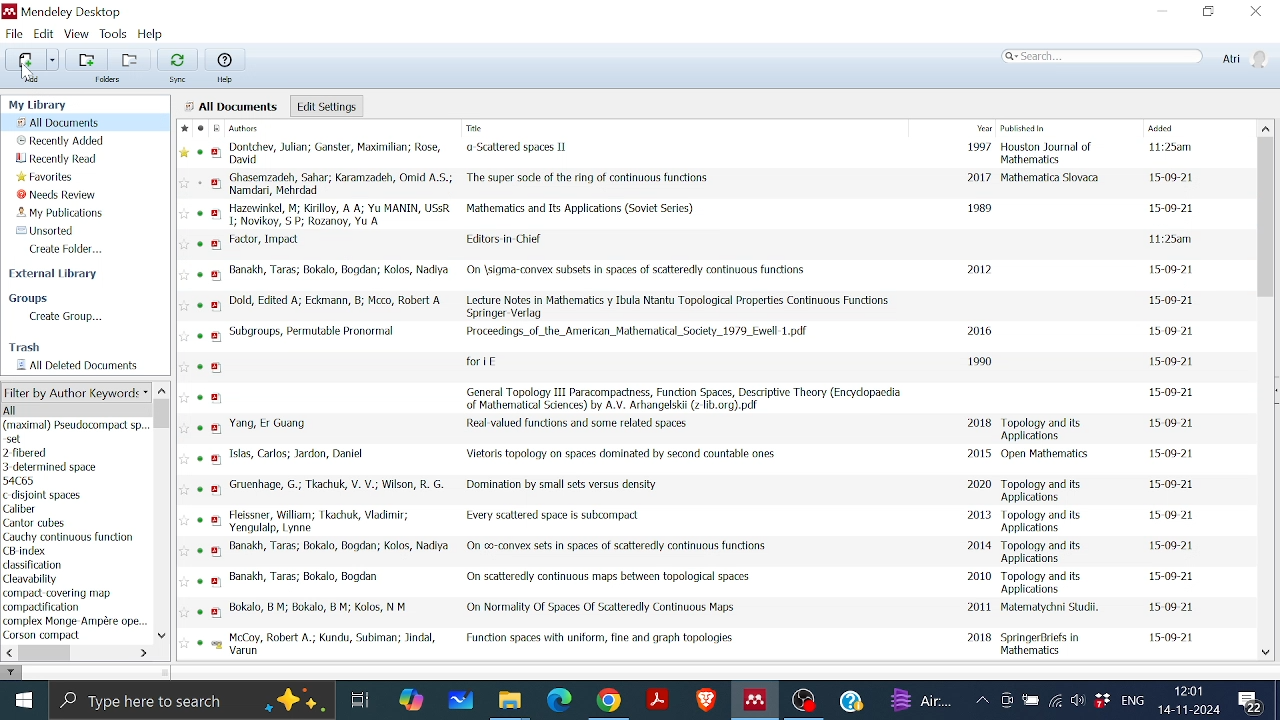  Describe the element at coordinates (34, 566) in the screenshot. I see `keyword` at that location.